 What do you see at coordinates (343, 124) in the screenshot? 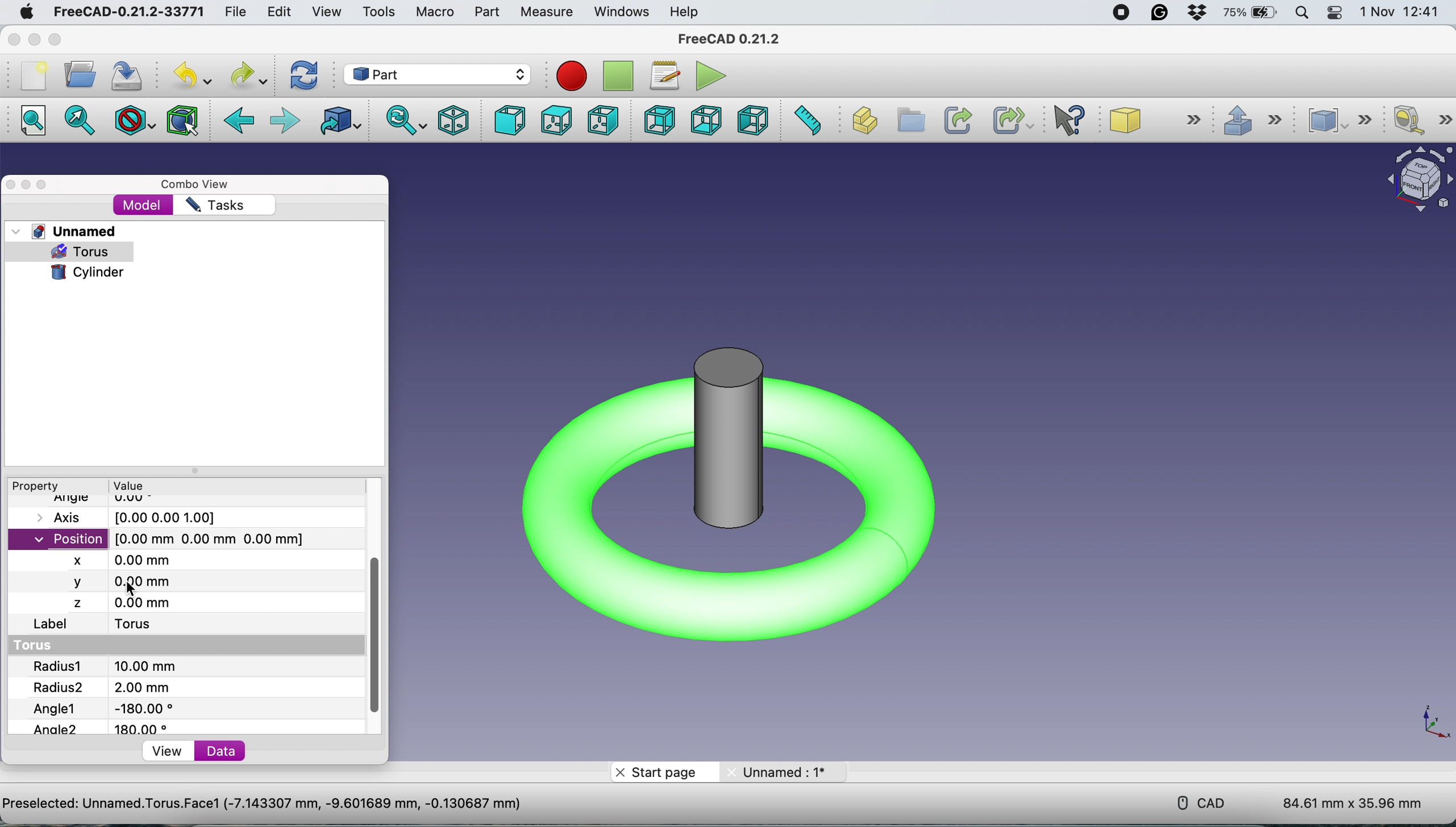
I see `go to linked object` at bounding box center [343, 124].